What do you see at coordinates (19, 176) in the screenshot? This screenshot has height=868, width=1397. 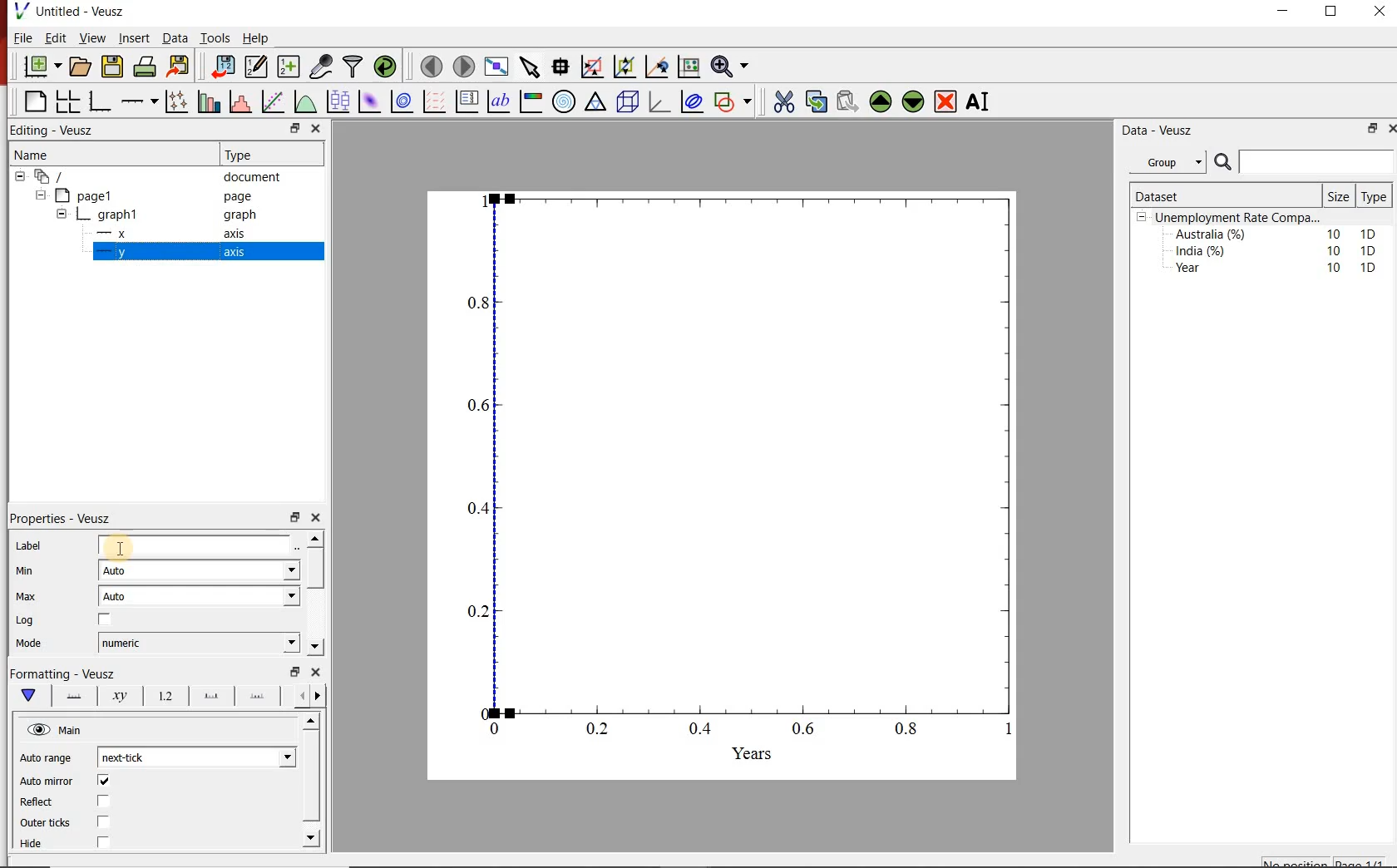 I see `collapse` at bounding box center [19, 176].